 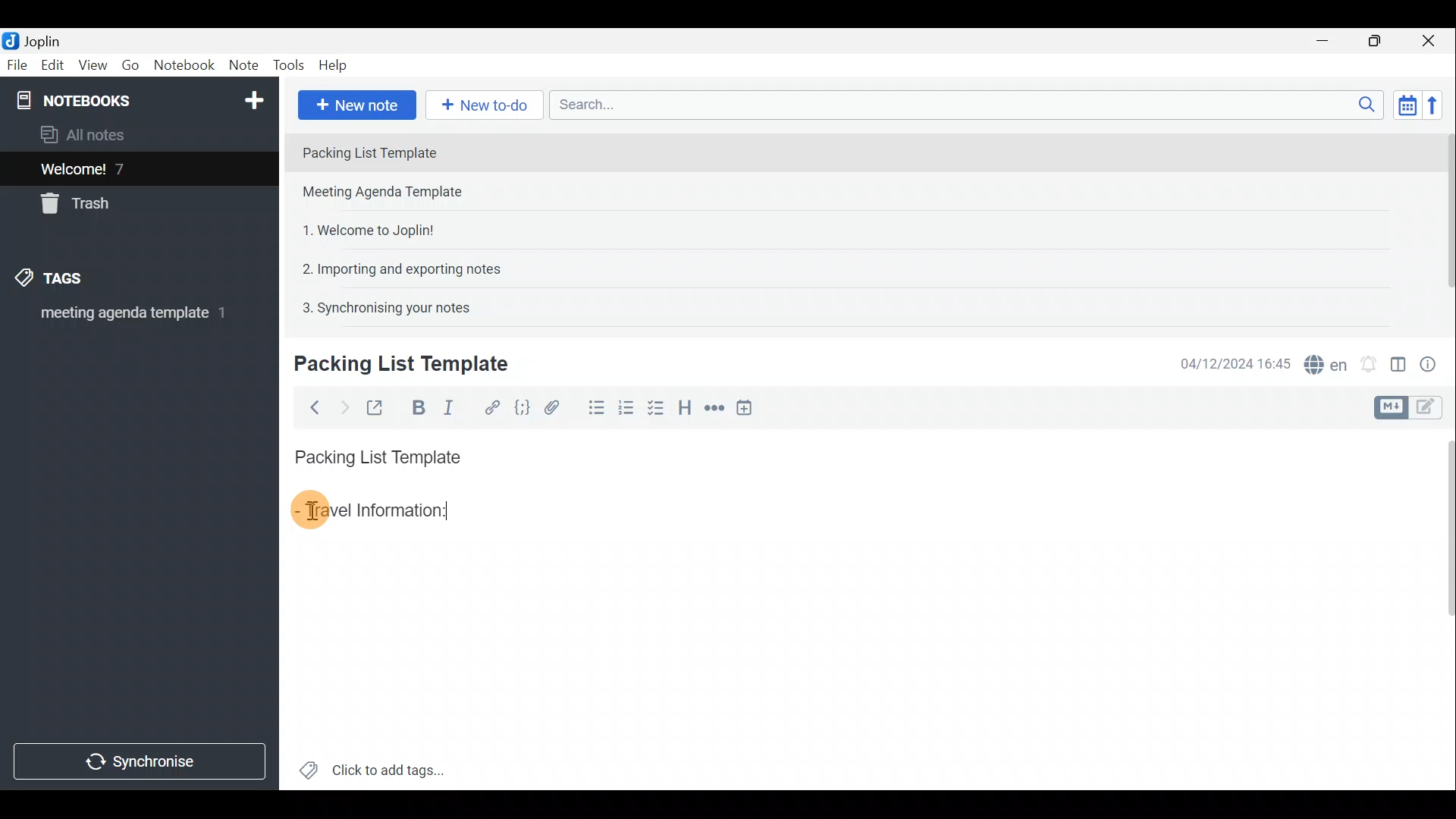 What do you see at coordinates (130, 318) in the screenshot?
I see `meeting agenda template` at bounding box center [130, 318].